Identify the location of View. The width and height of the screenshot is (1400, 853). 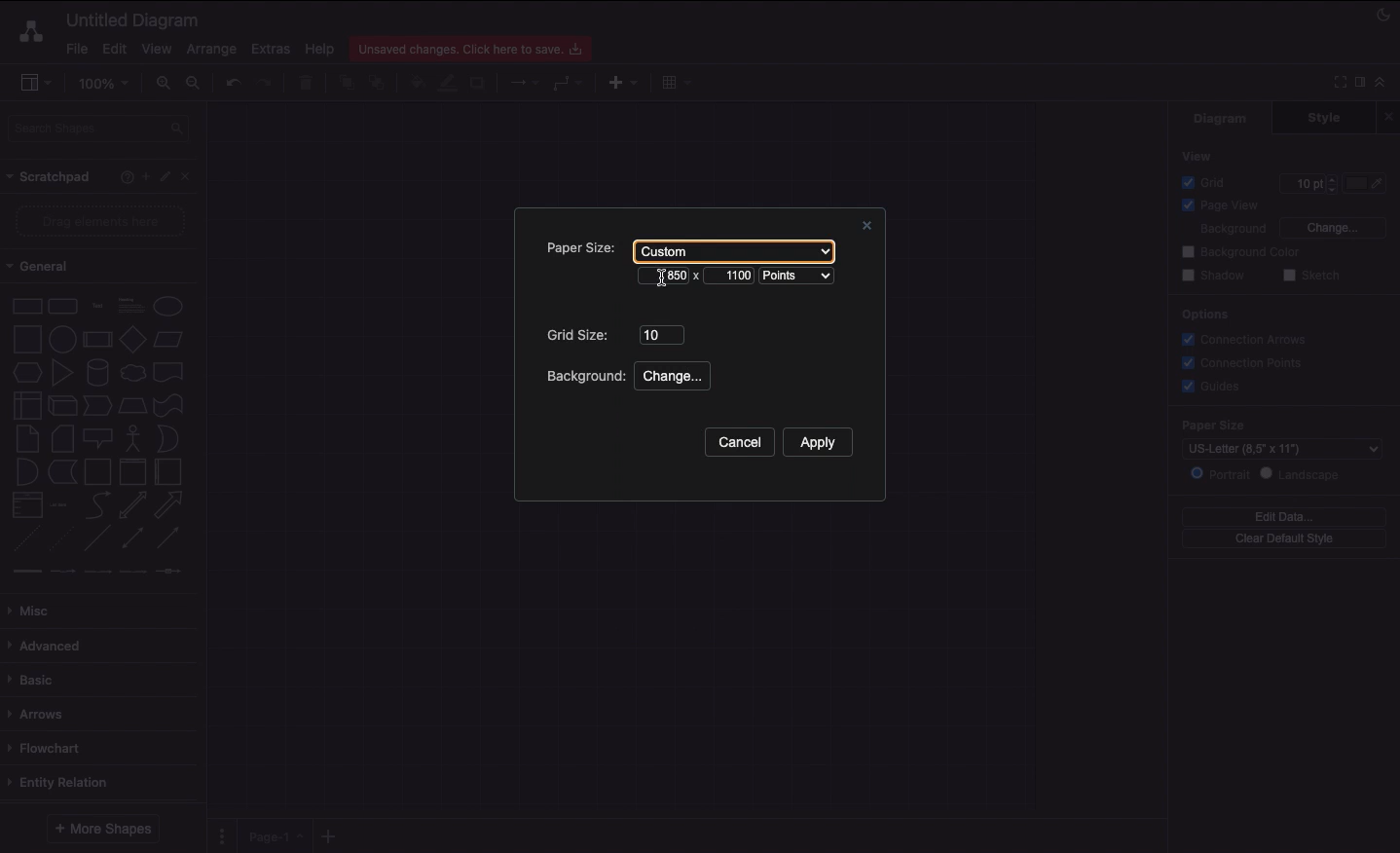
(157, 46).